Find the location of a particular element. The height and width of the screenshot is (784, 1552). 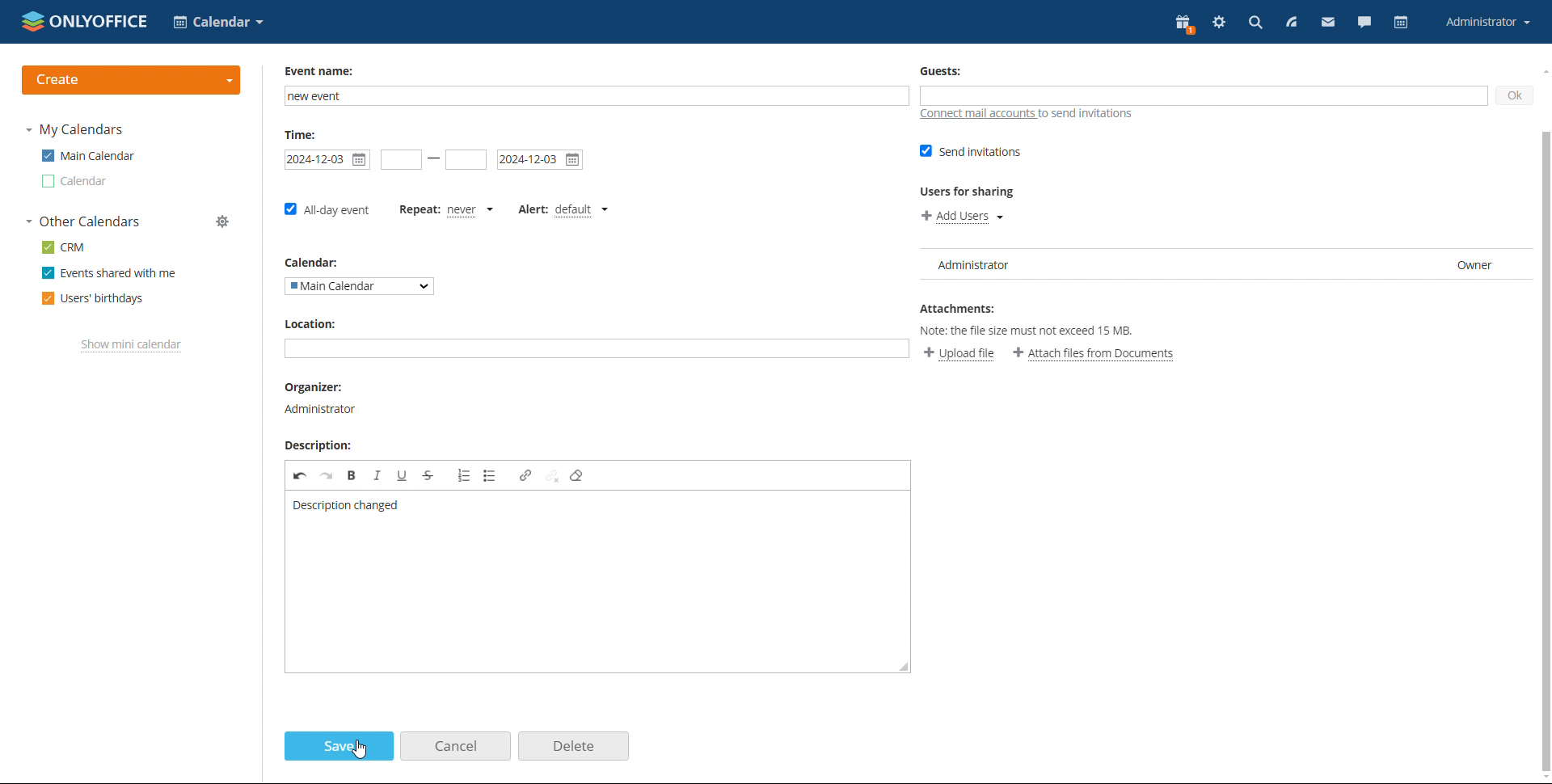

upload file is located at coordinates (954, 352).